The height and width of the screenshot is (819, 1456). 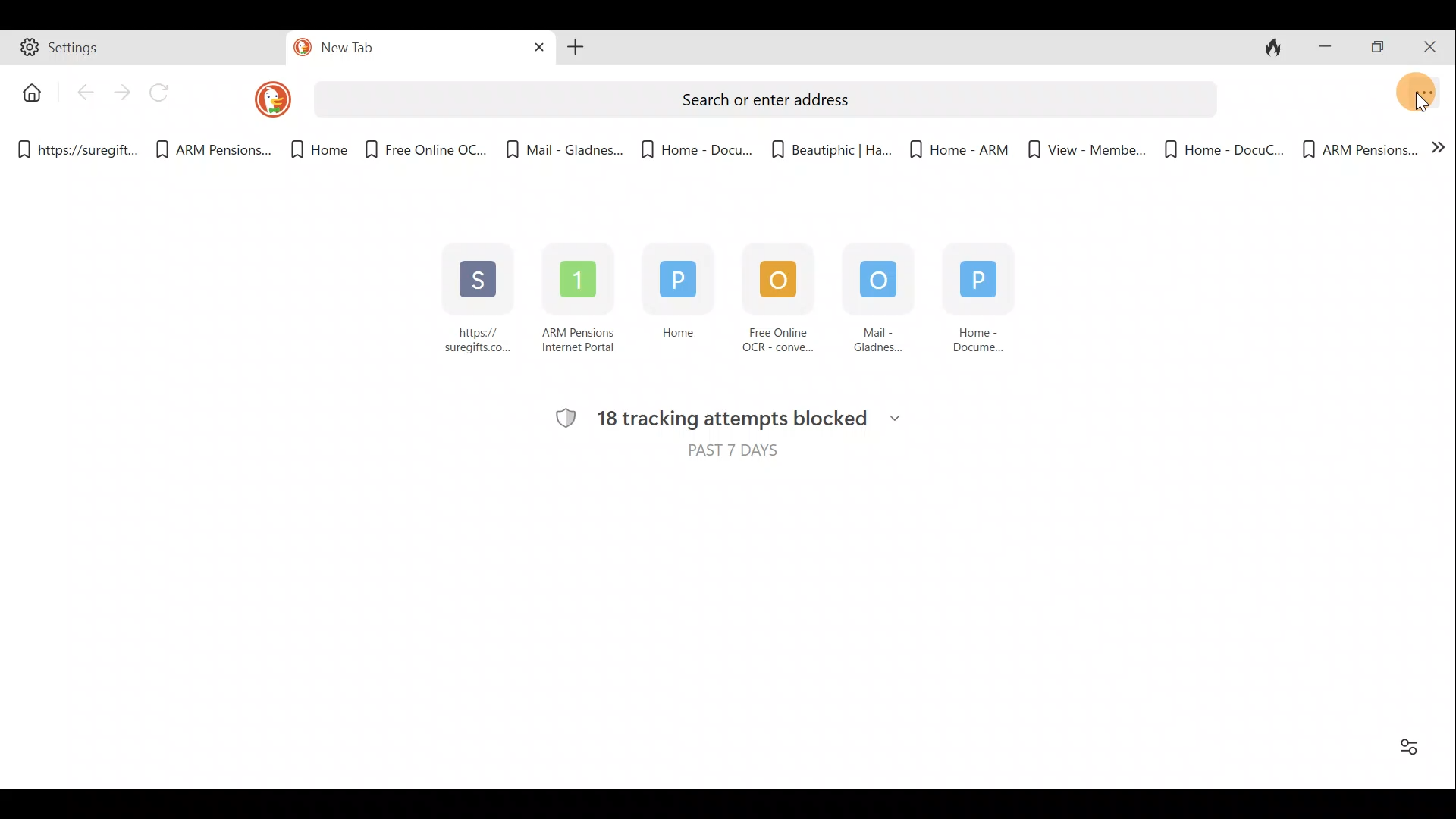 I want to click on Close, so click(x=1433, y=45).